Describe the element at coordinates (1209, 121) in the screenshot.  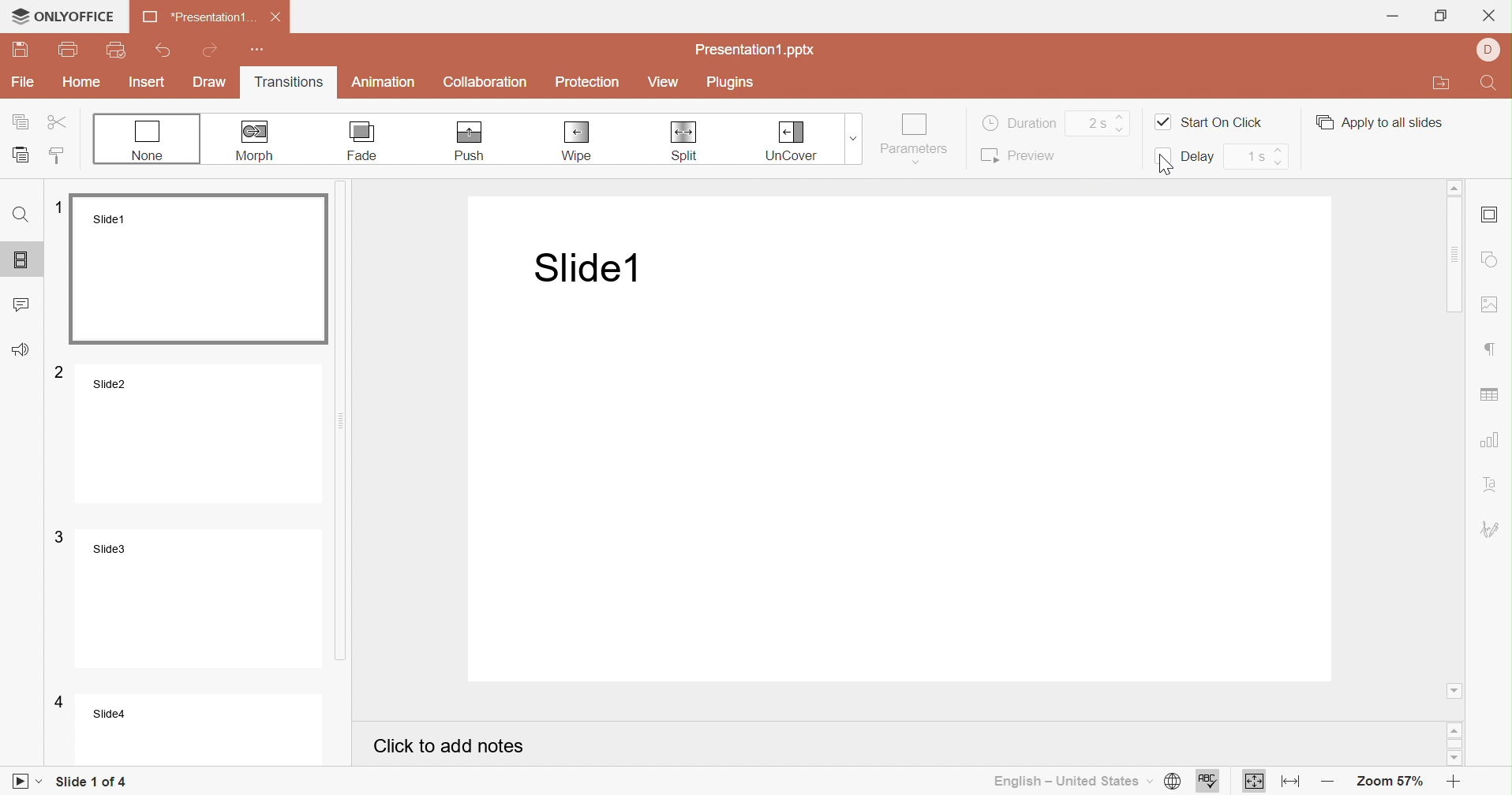
I see `Start On Click` at that location.